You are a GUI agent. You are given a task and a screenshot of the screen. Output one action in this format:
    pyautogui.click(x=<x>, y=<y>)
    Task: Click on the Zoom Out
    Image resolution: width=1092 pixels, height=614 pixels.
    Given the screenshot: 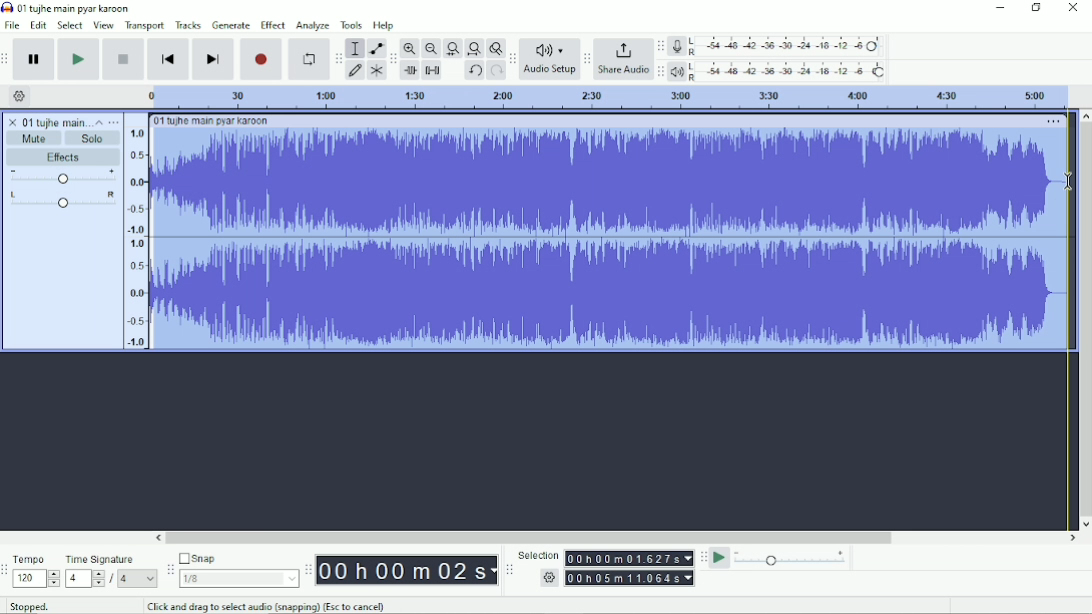 What is the action you would take?
    pyautogui.click(x=430, y=49)
    